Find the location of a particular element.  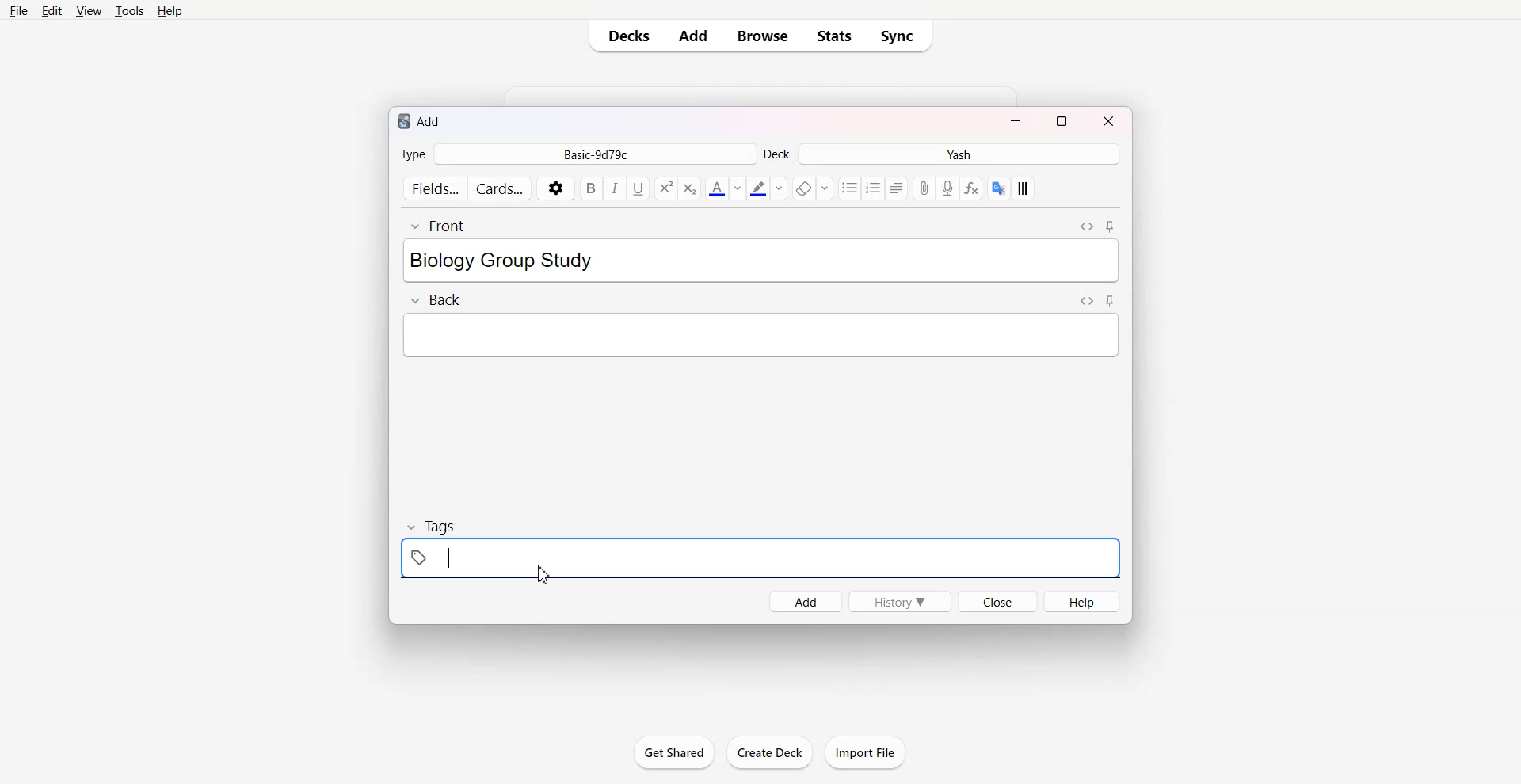

File is located at coordinates (19, 12).